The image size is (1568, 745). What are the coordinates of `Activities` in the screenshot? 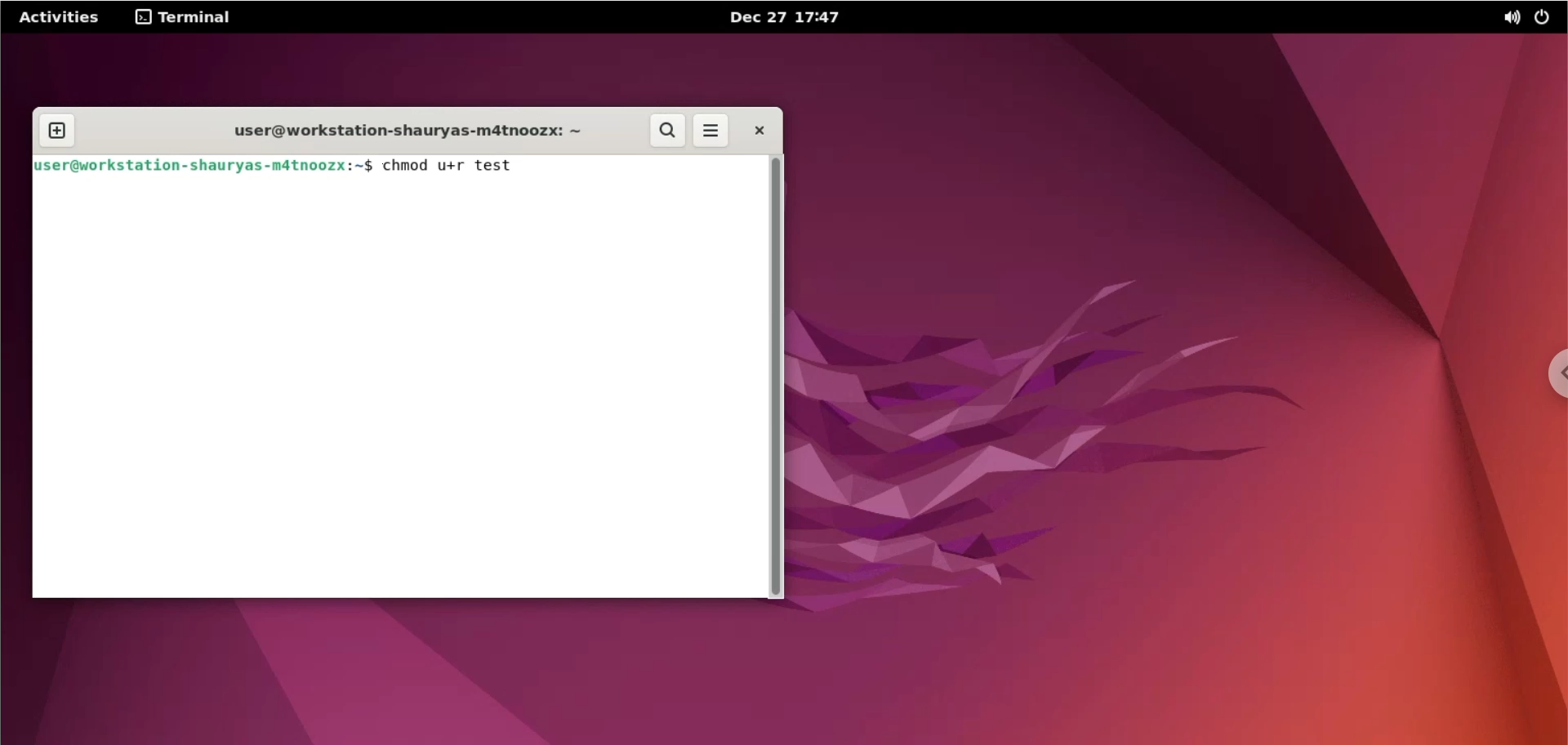 It's located at (58, 16).